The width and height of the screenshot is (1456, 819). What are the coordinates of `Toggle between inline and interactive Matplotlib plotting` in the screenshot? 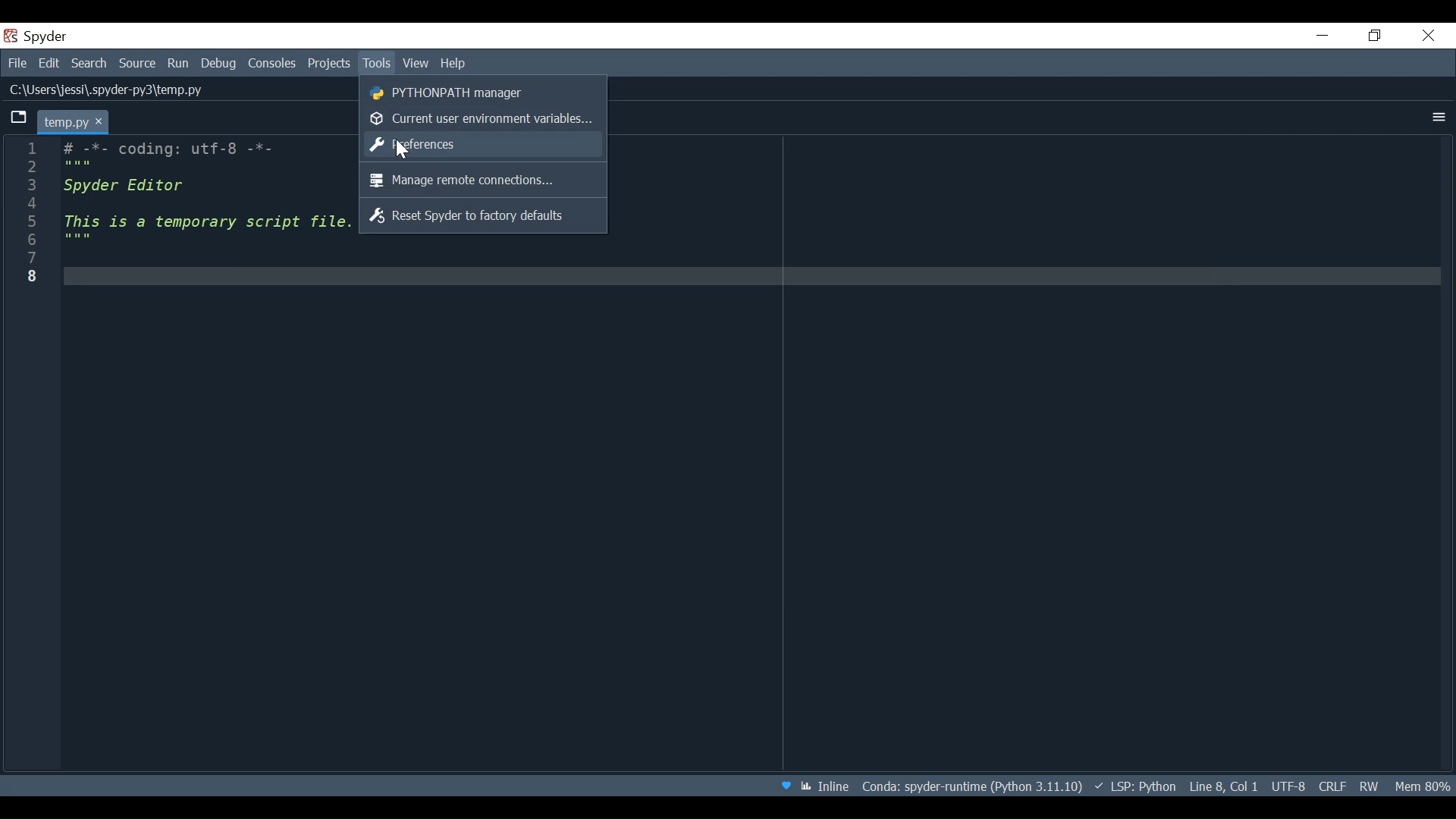 It's located at (827, 786).